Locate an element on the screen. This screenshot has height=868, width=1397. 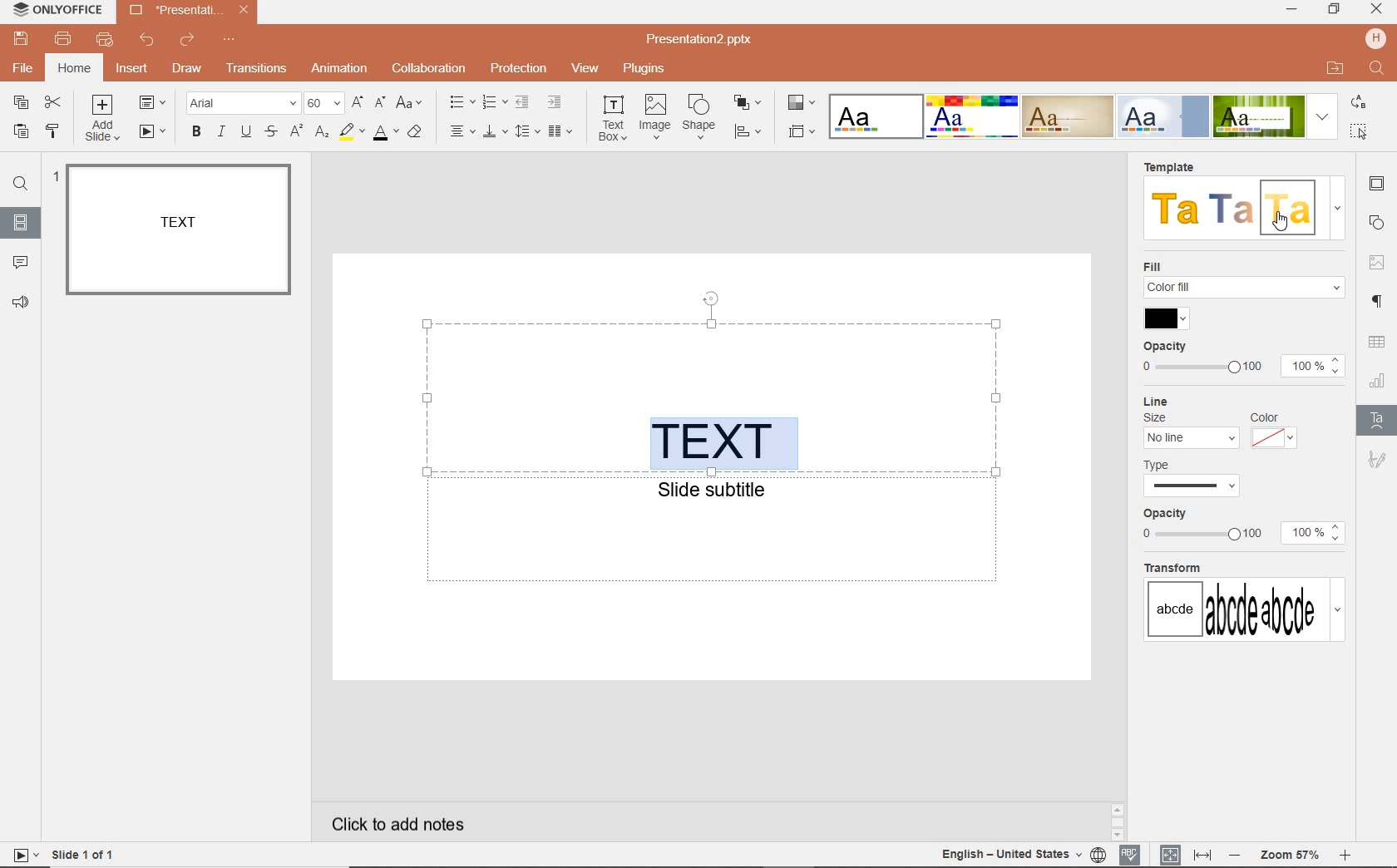
STRIKE THROUGH is located at coordinates (274, 131).